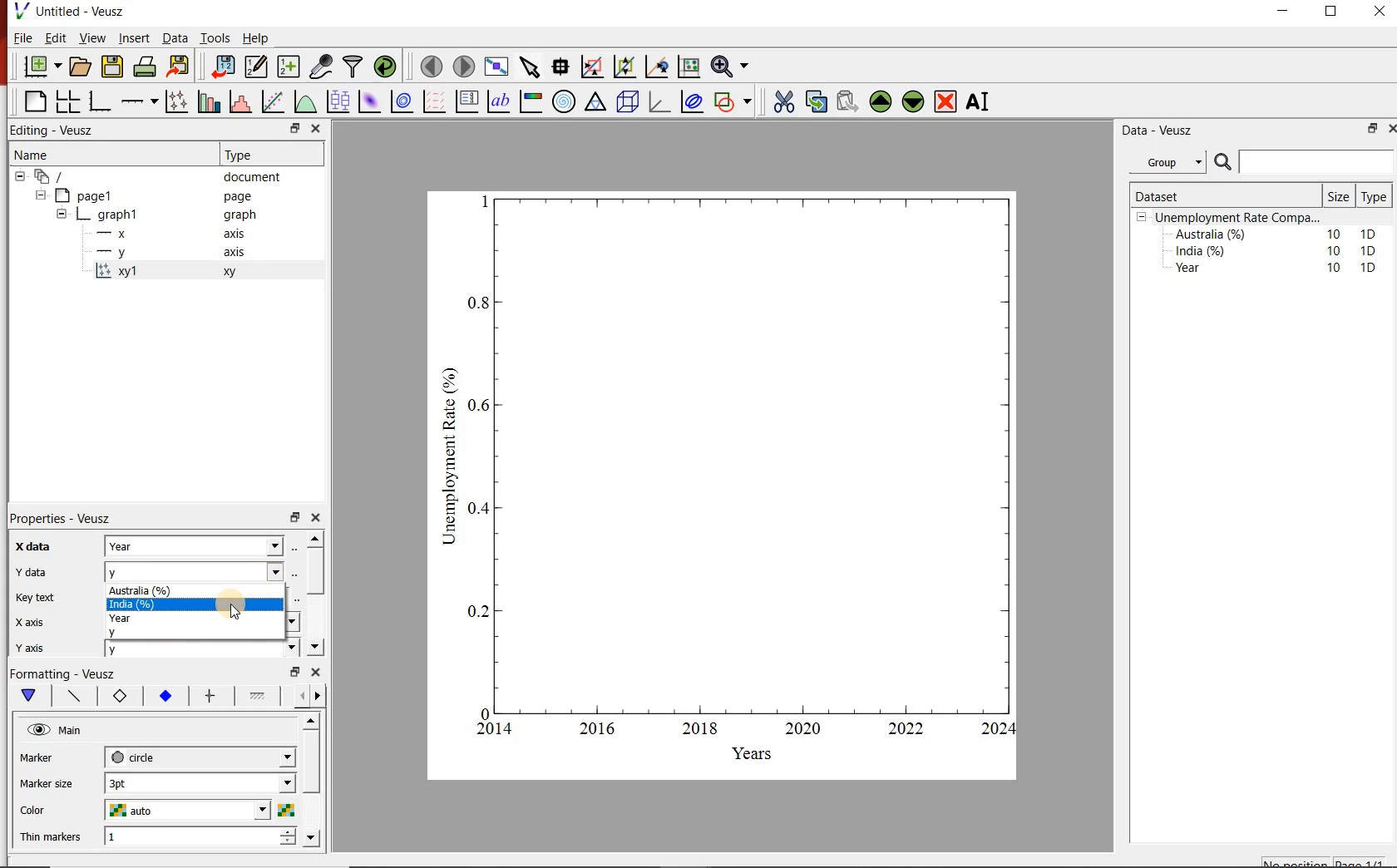 The image size is (1397, 868). Describe the element at coordinates (32, 696) in the screenshot. I see `main` at that location.